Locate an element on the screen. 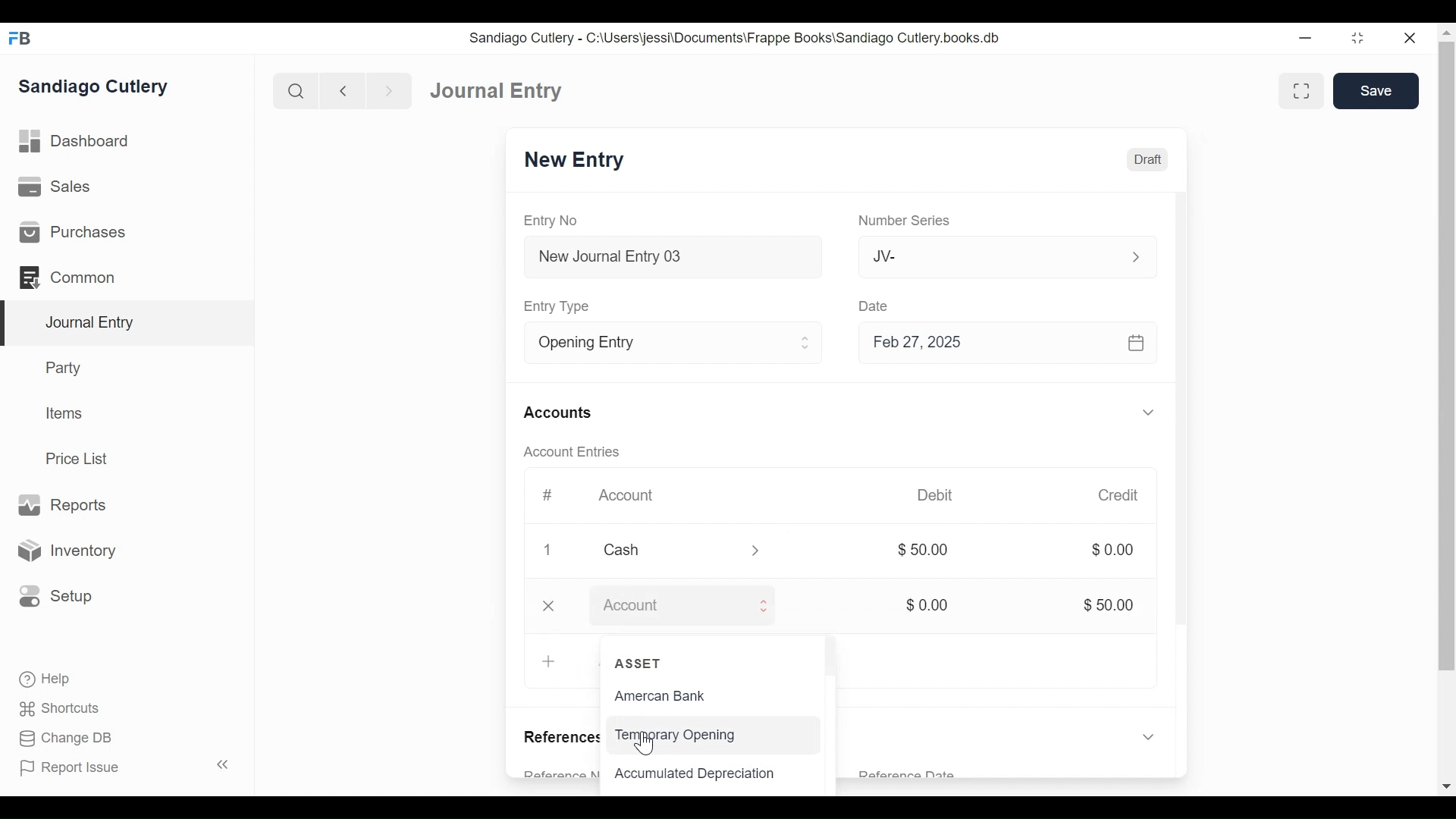 Image resolution: width=1456 pixels, height=819 pixels. Vertical Scroll bar is located at coordinates (834, 661).